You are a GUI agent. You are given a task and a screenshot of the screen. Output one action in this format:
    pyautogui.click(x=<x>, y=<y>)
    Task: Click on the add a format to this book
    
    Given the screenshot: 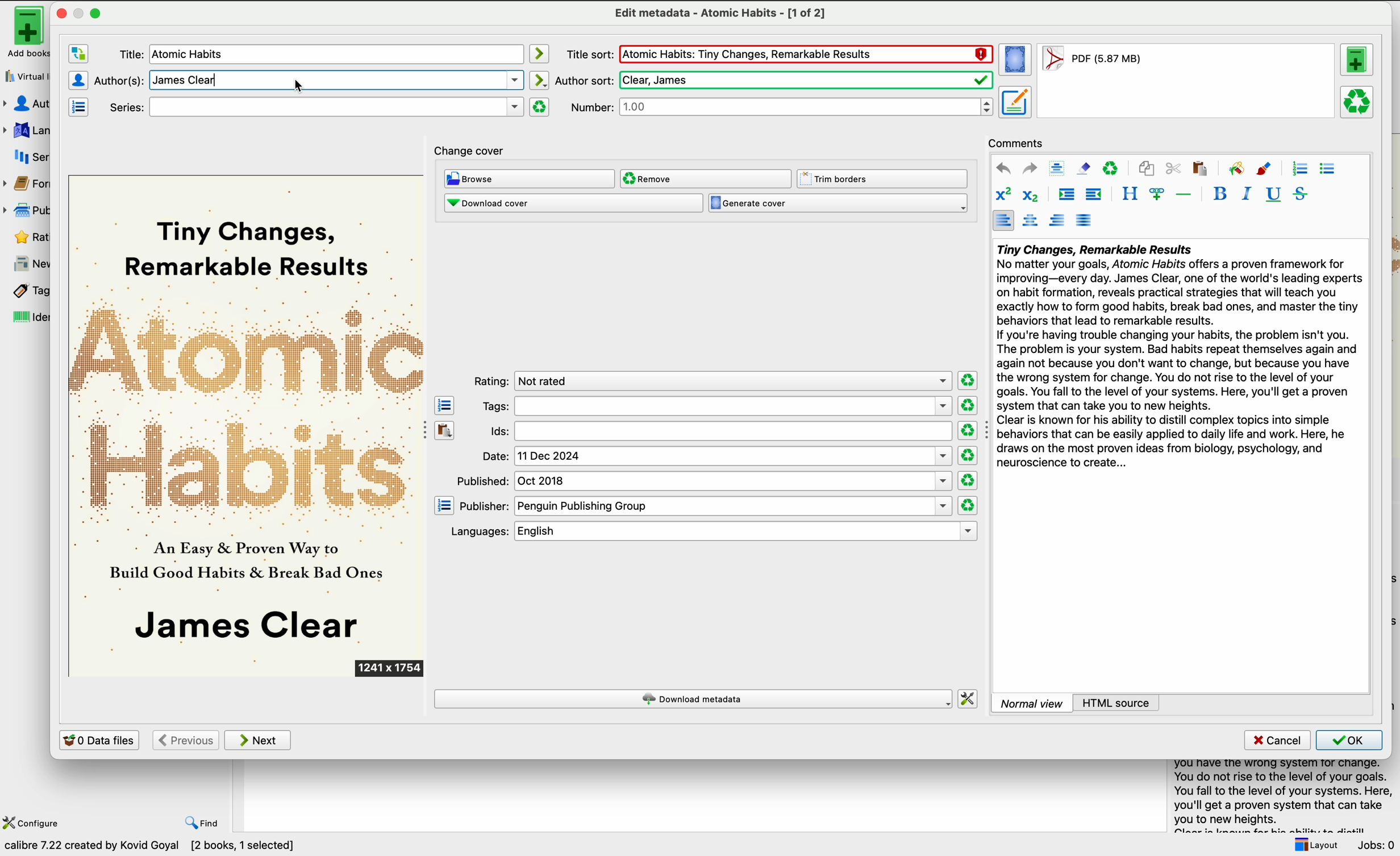 What is the action you would take?
    pyautogui.click(x=1359, y=62)
    